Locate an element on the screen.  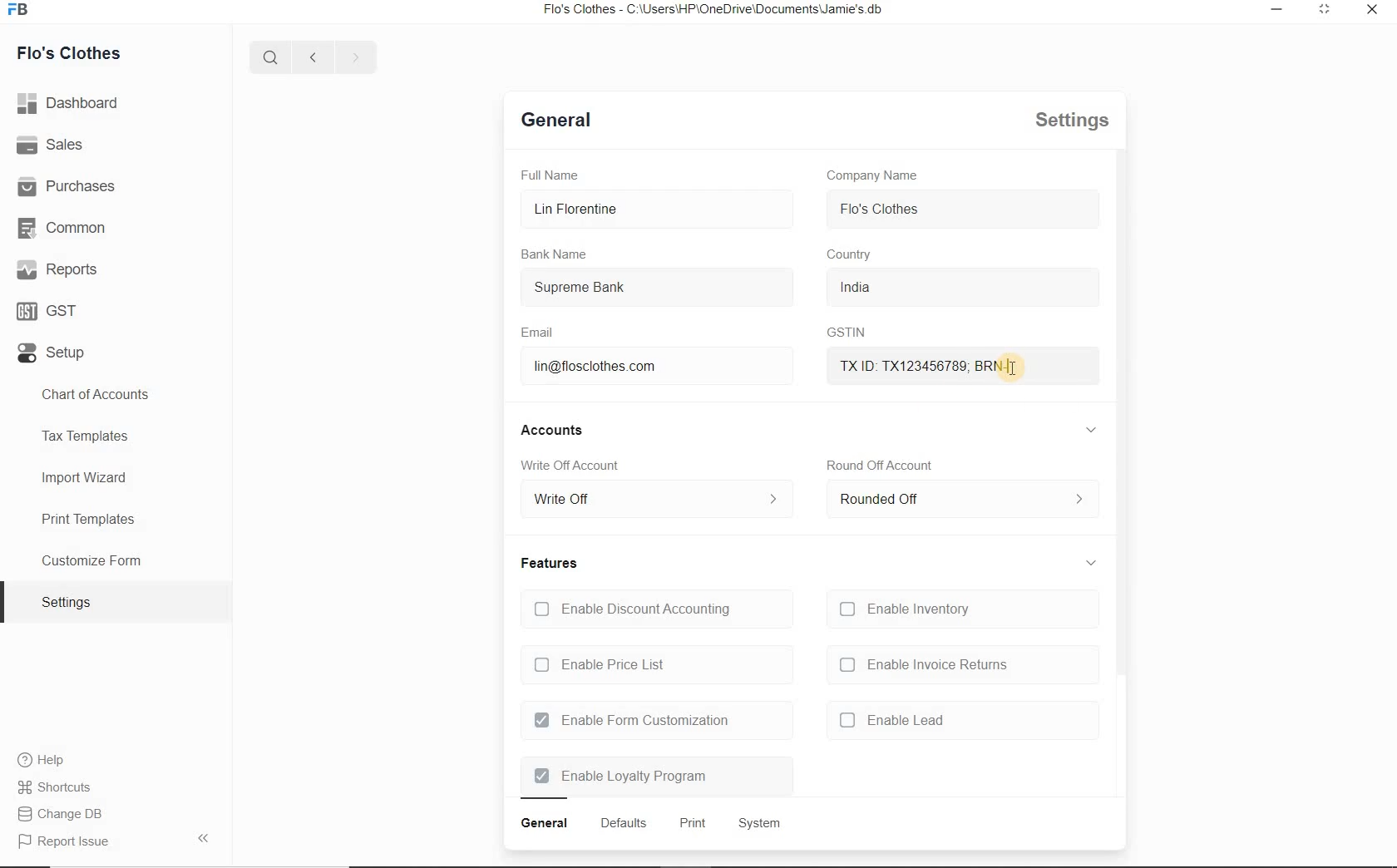
Import Wizard is located at coordinates (86, 479).